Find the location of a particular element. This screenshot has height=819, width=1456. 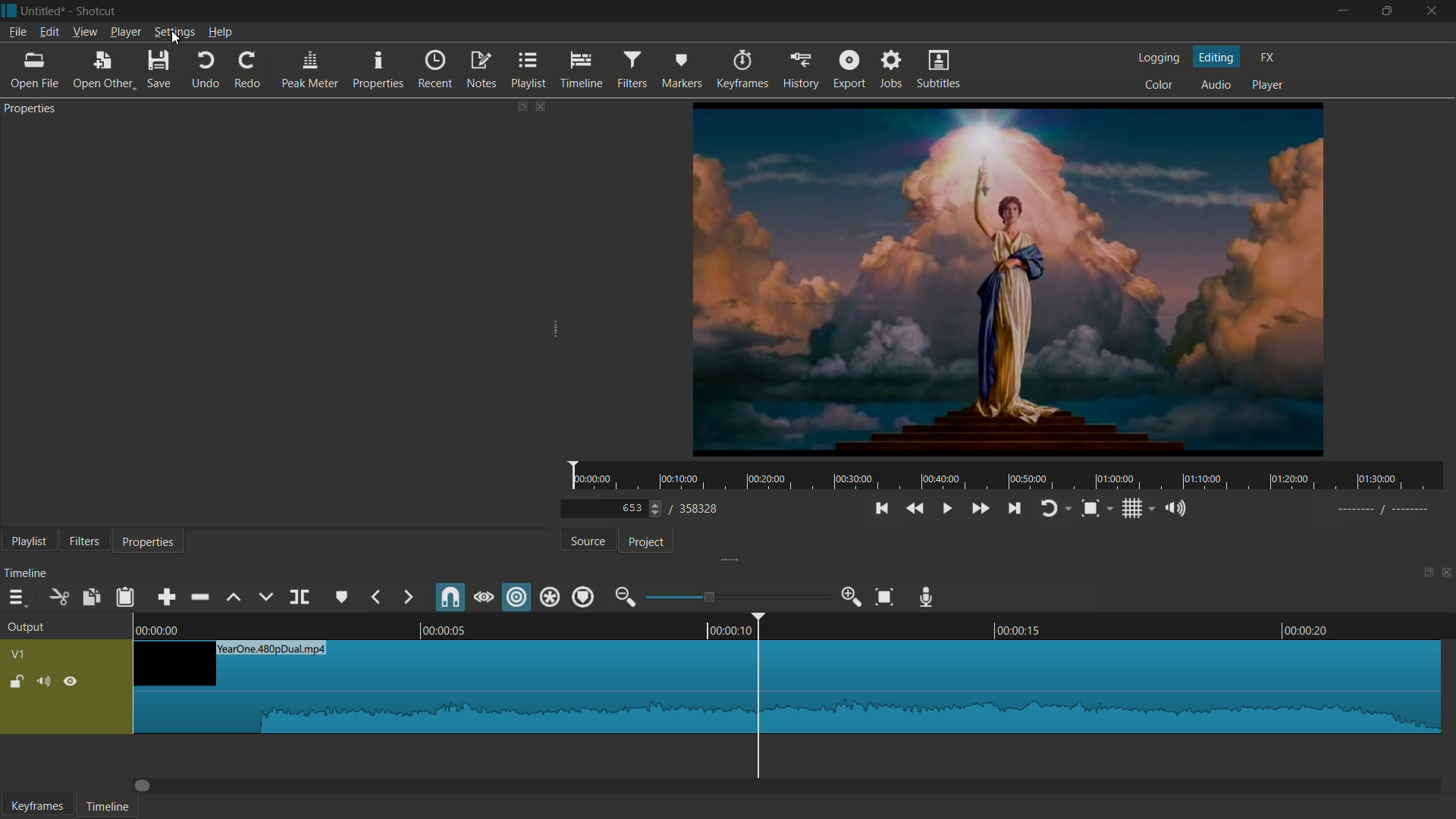

timeline menu is located at coordinates (16, 595).